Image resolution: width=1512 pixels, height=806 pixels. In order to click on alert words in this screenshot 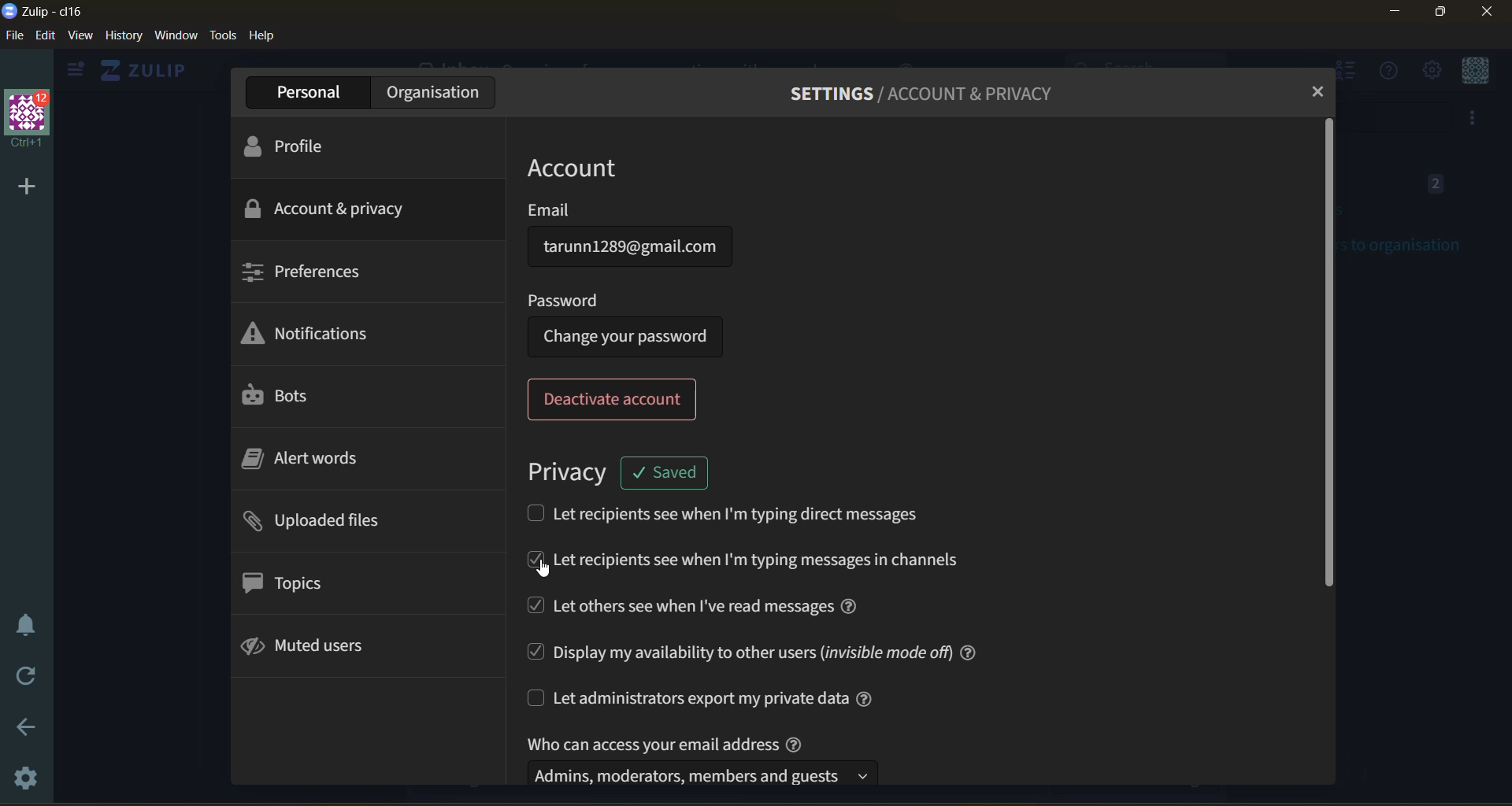, I will do `click(319, 462)`.